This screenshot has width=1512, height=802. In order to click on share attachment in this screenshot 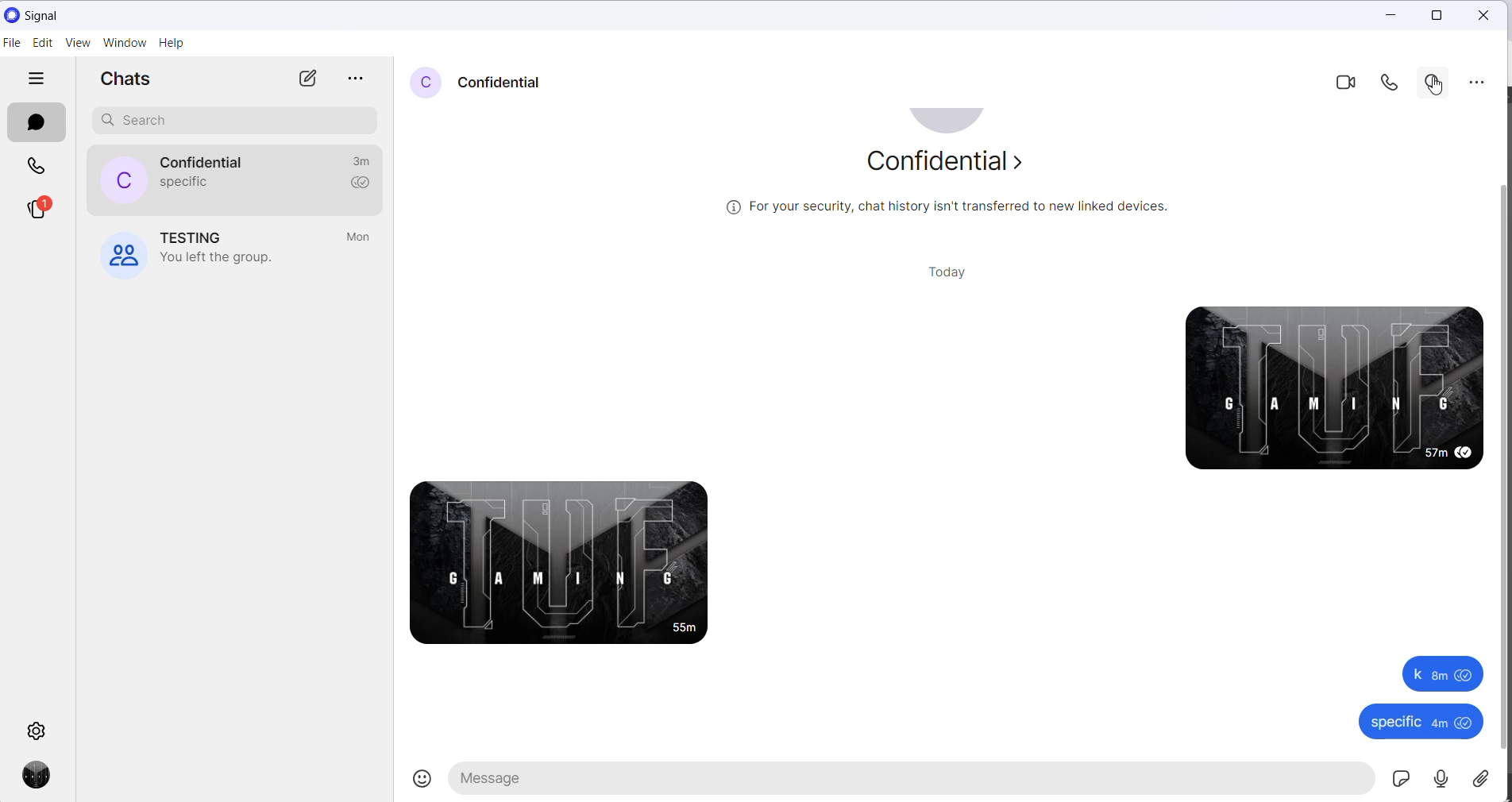, I will do `click(1491, 777)`.